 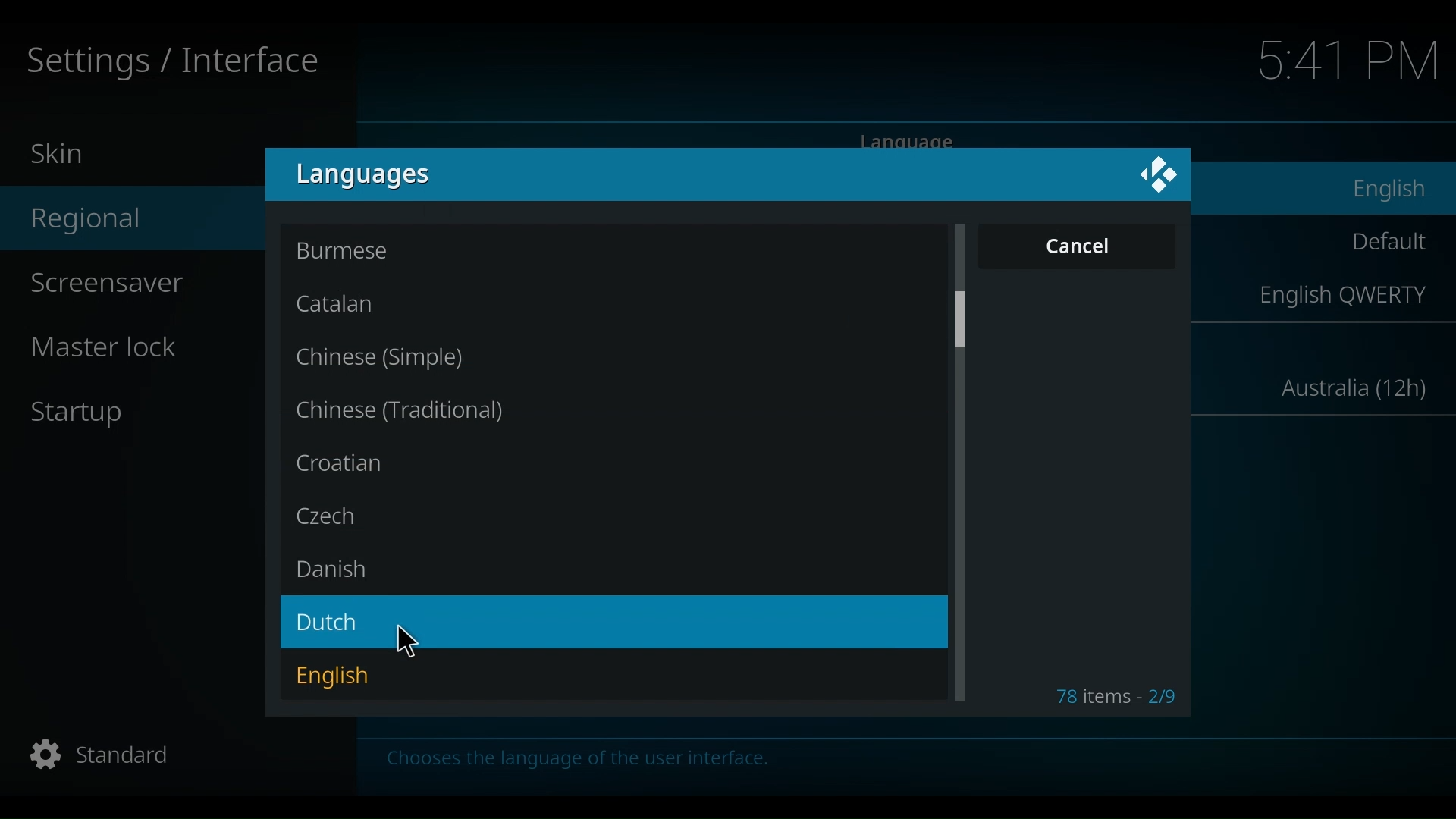 I want to click on English, so click(x=339, y=679).